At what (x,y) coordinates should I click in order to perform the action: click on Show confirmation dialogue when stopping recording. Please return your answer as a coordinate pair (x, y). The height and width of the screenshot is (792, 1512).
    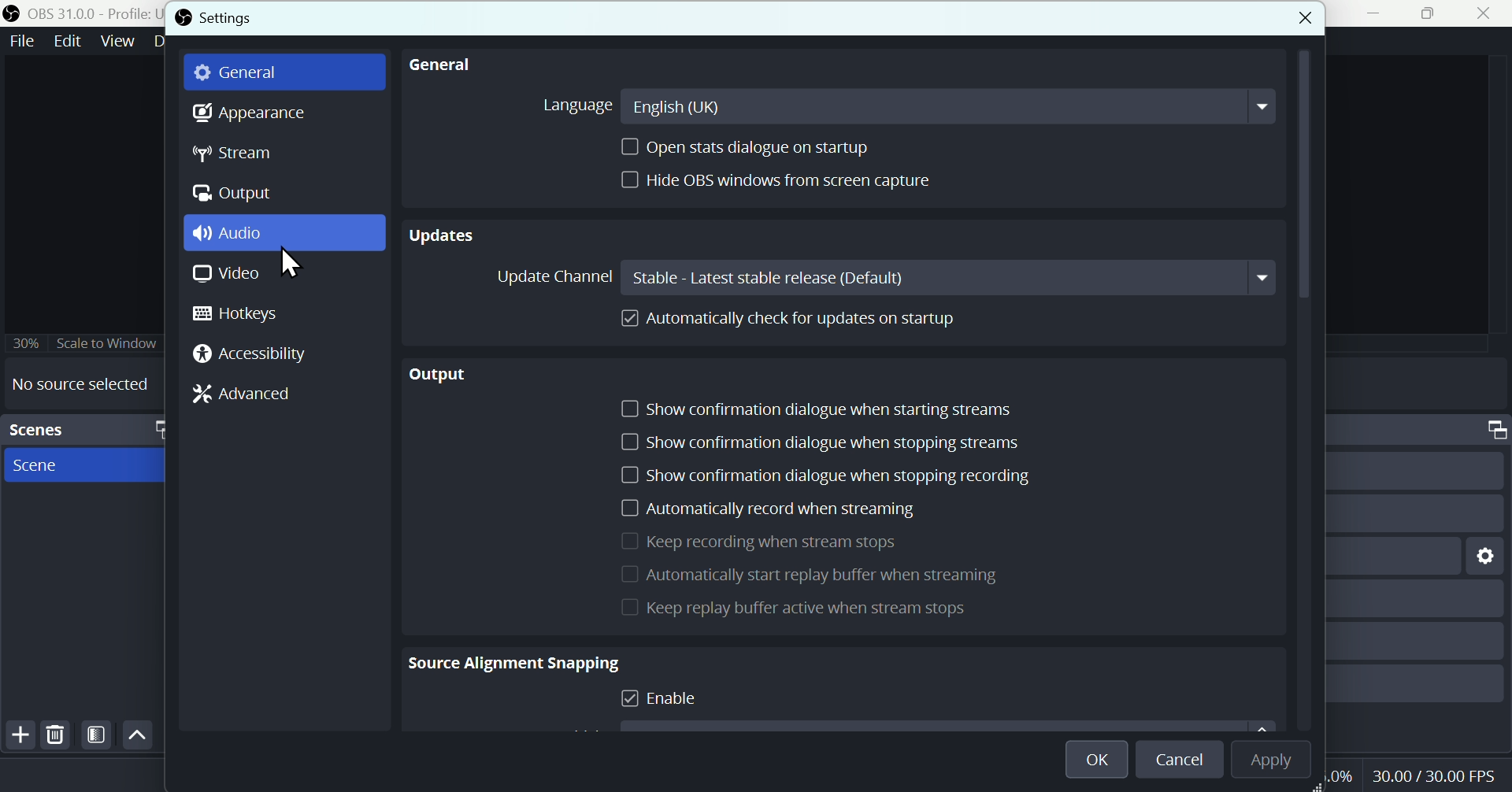
    Looking at the image, I should click on (831, 477).